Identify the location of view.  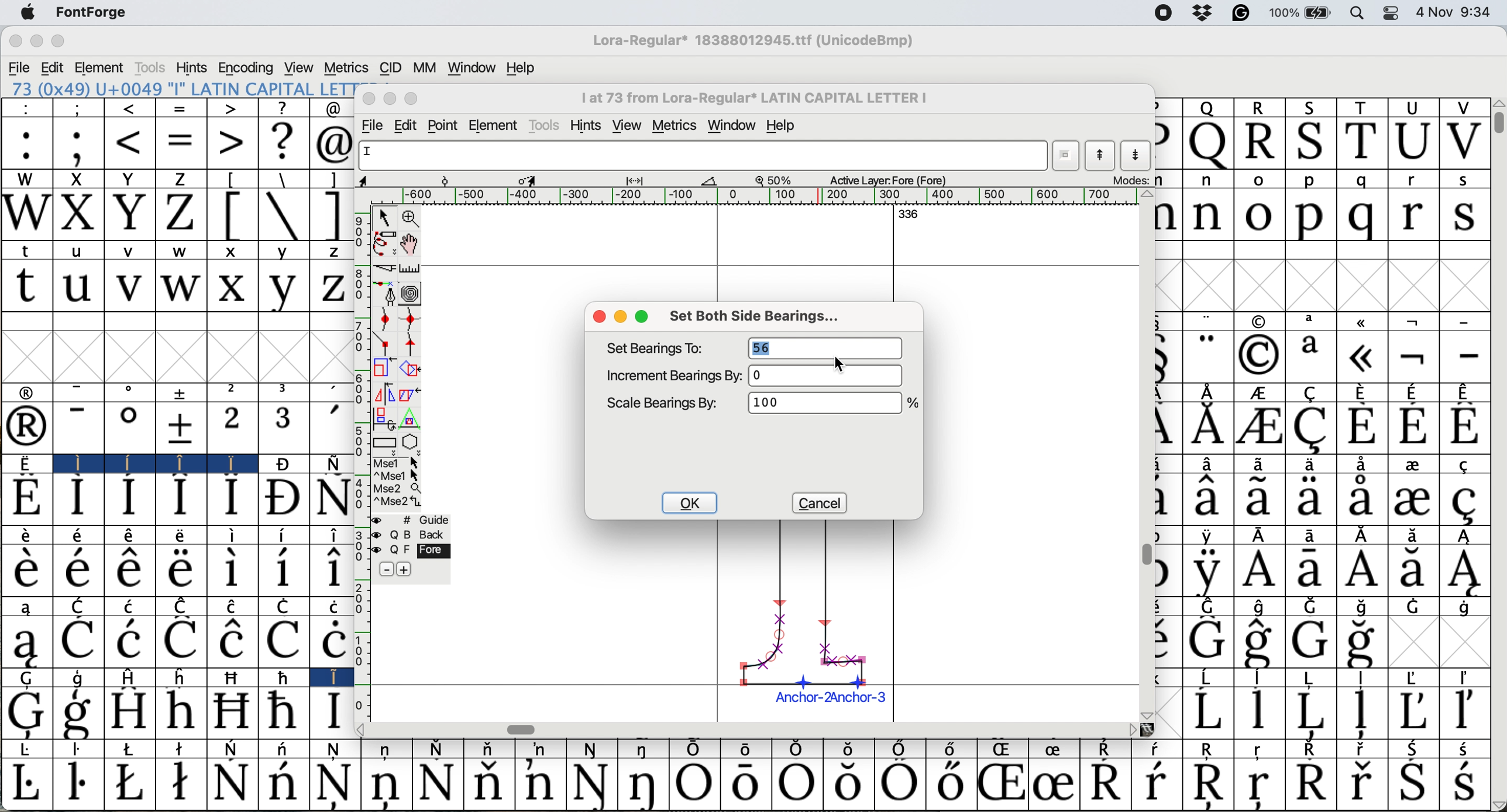
(630, 123).